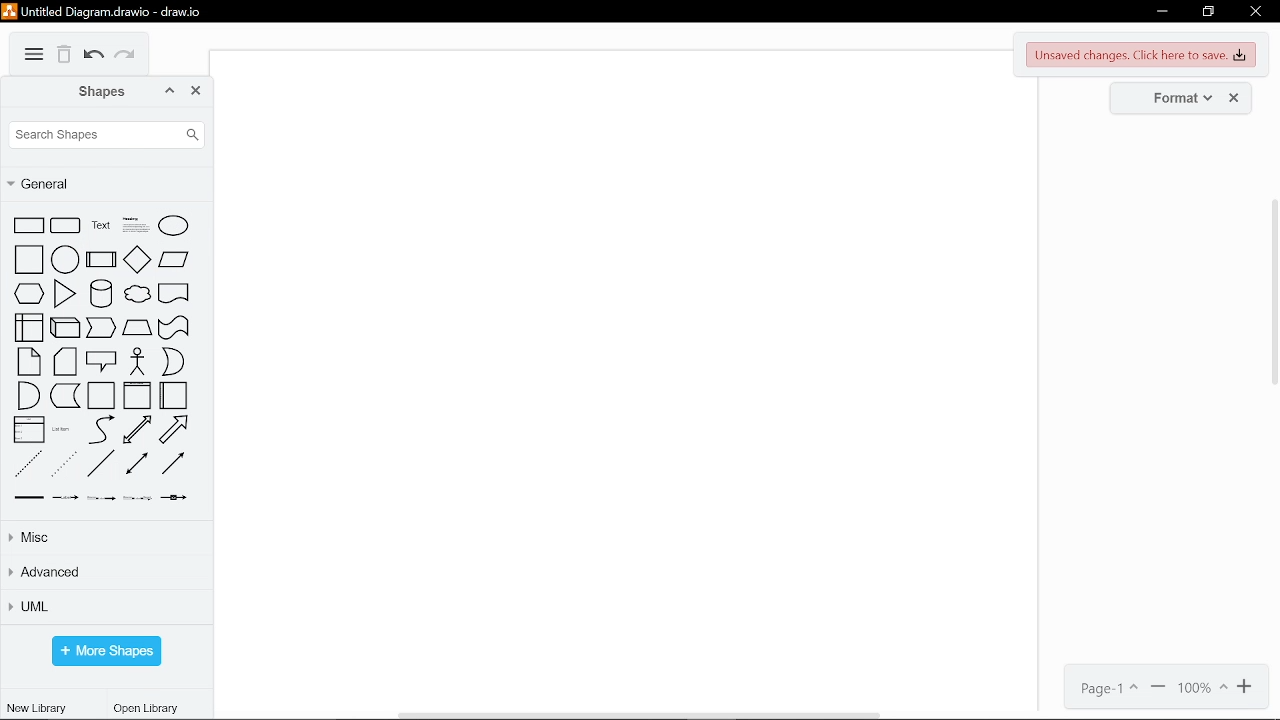  I want to click on list, so click(30, 431).